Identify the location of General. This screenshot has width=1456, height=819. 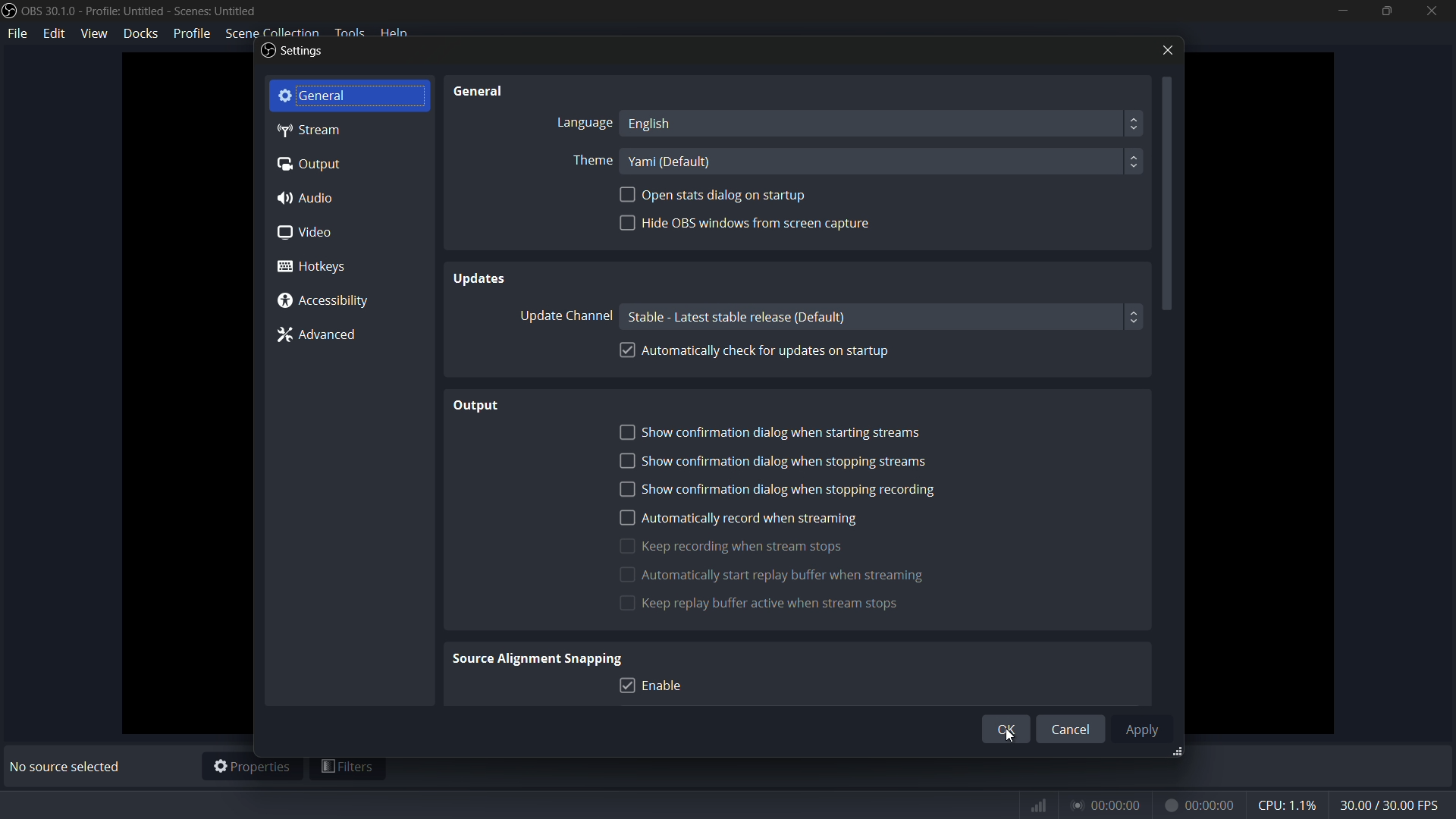
(349, 94).